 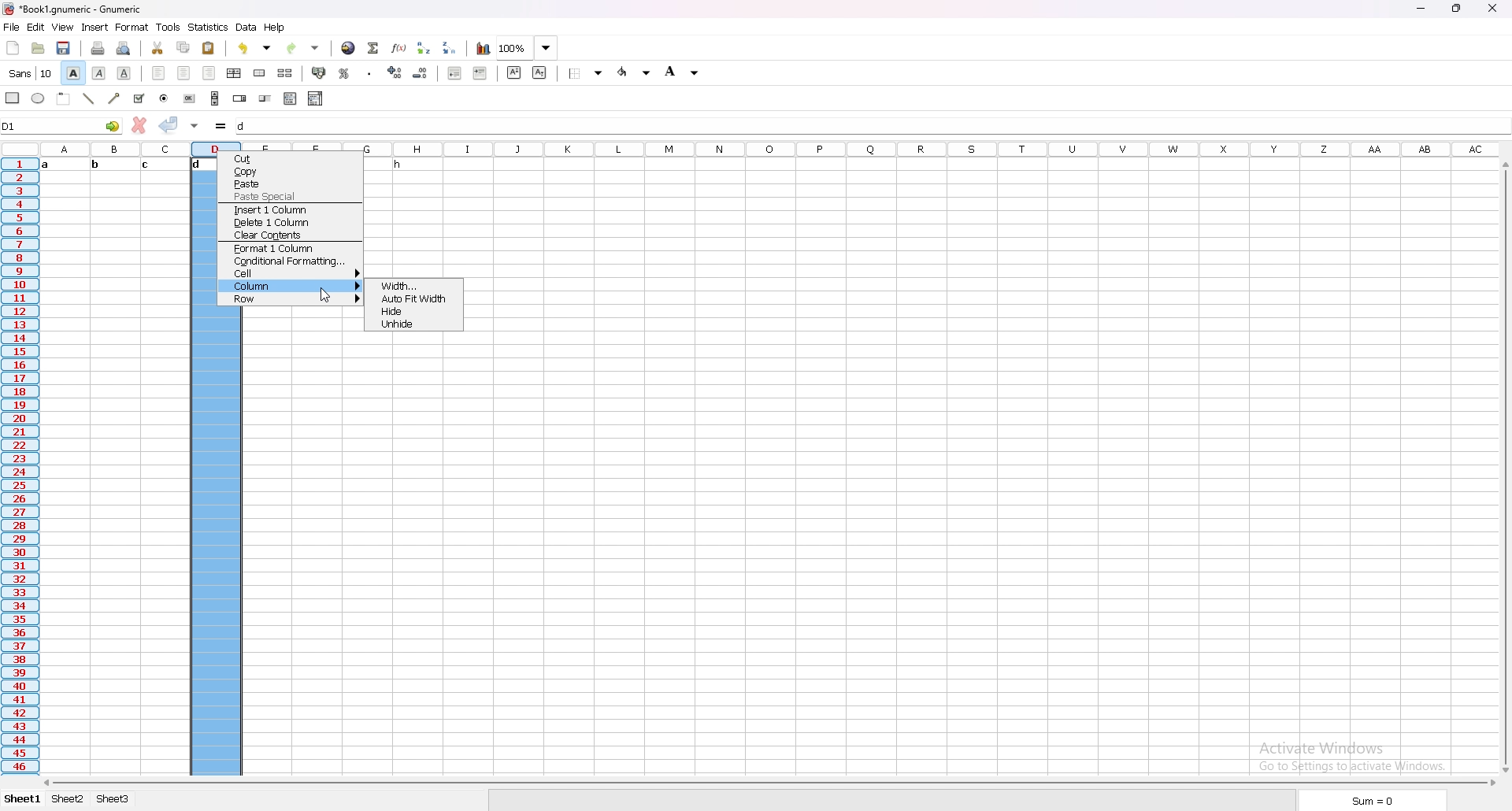 What do you see at coordinates (65, 99) in the screenshot?
I see `frame` at bounding box center [65, 99].